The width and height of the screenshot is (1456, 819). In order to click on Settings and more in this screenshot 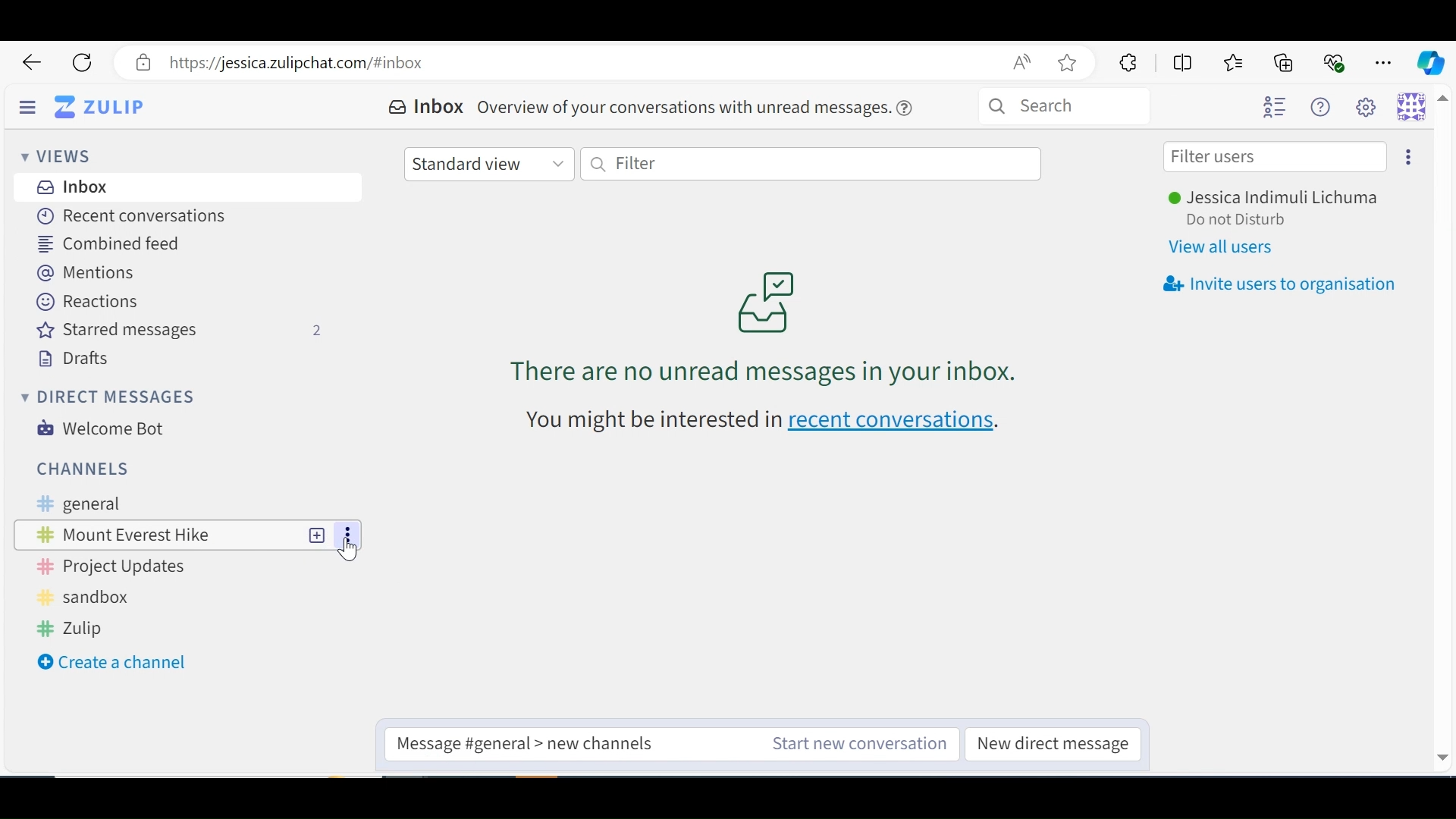, I will do `click(1385, 60)`.